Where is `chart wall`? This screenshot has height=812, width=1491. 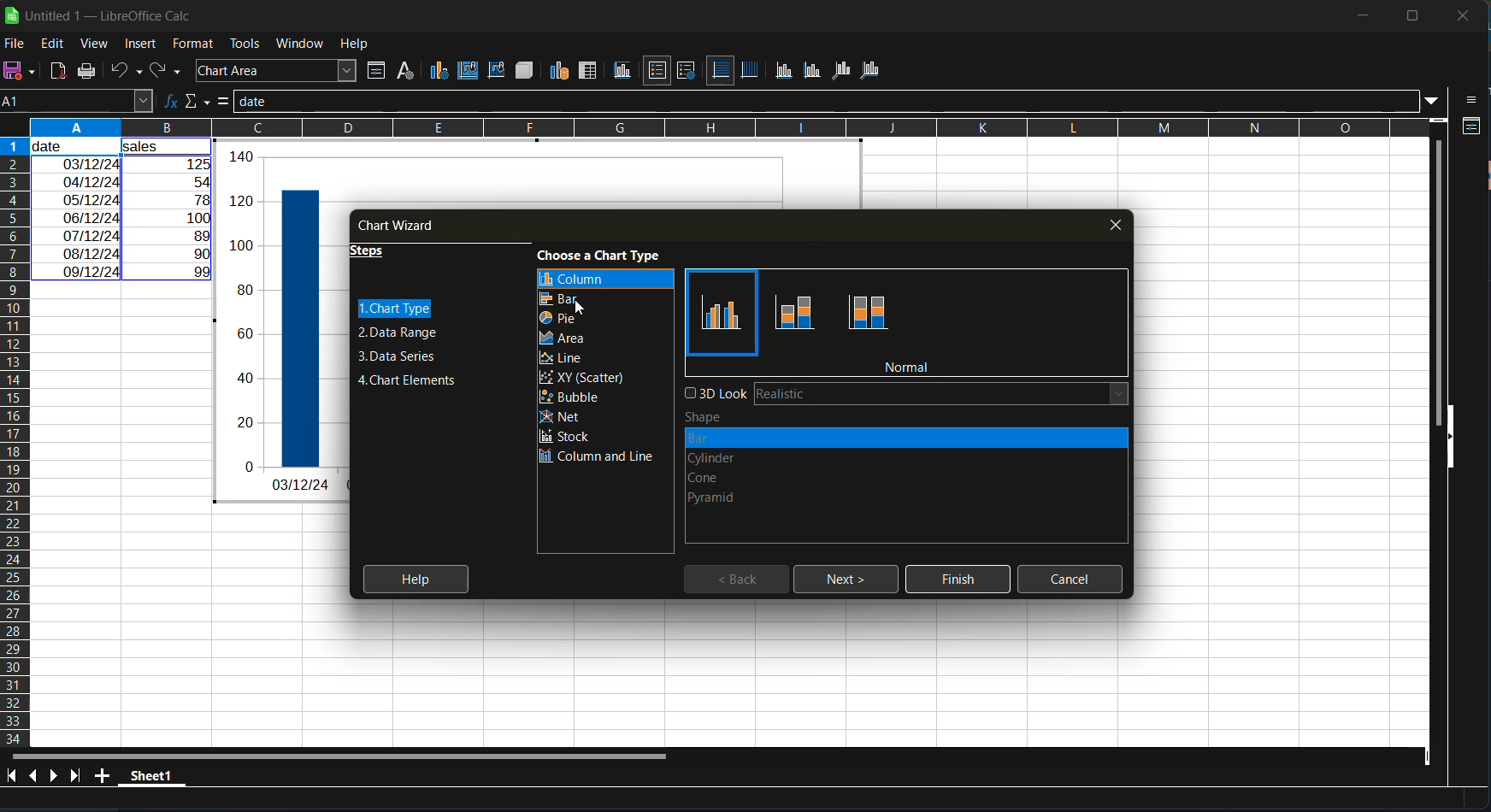
chart wall is located at coordinates (497, 69).